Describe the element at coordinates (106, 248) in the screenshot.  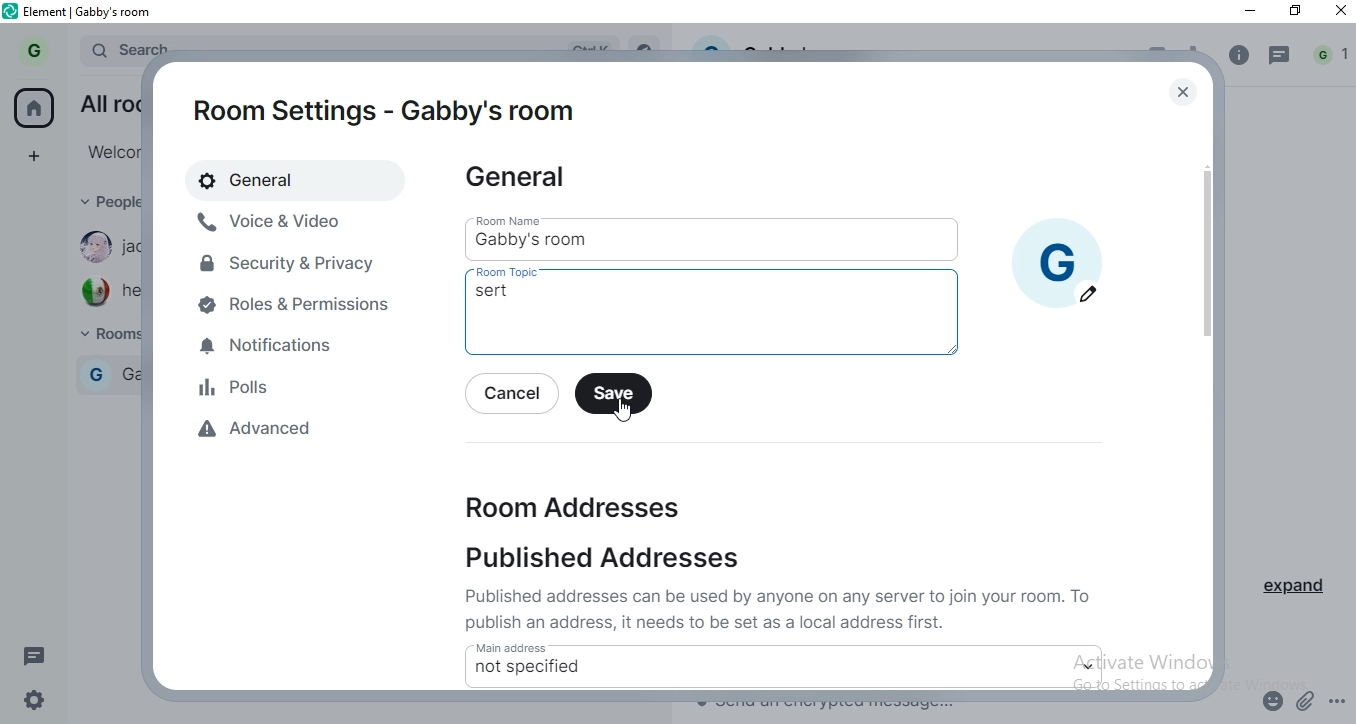
I see `jackmama` at that location.